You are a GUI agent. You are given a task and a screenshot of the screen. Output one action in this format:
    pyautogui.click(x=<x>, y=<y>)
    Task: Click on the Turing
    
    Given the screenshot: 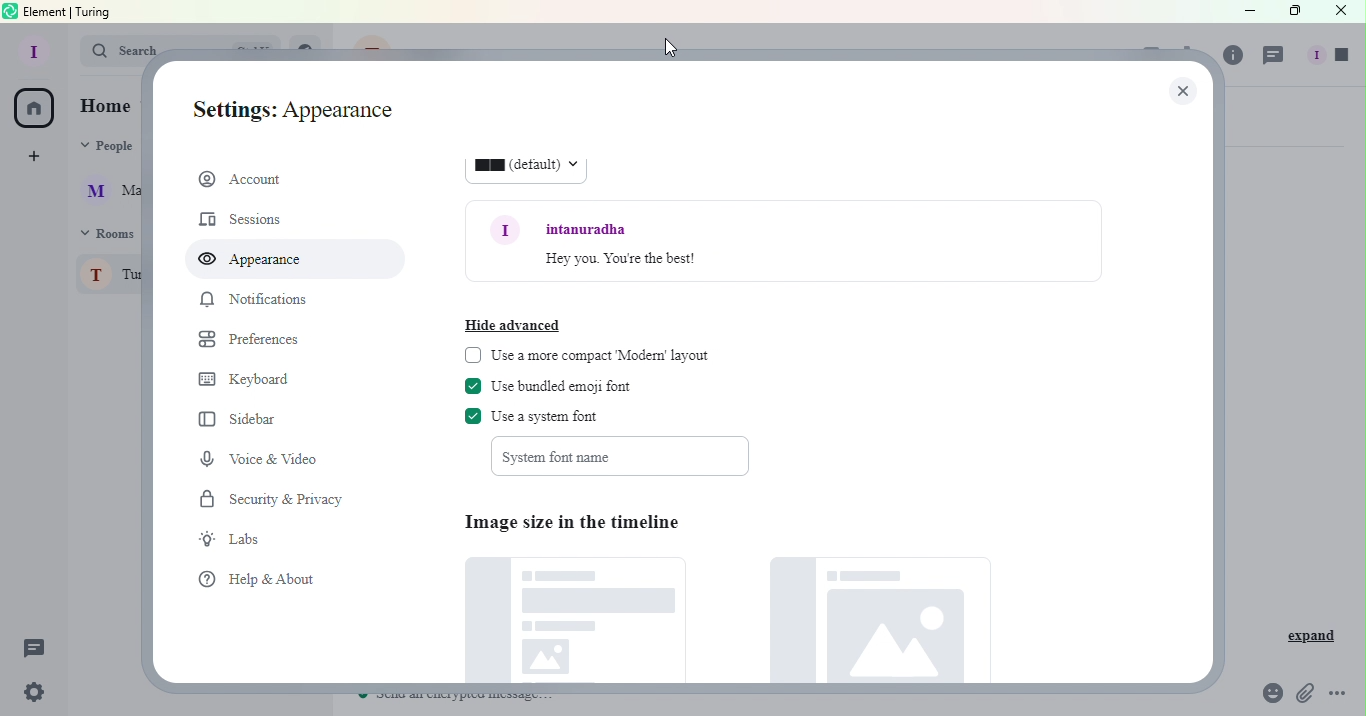 What is the action you would take?
    pyautogui.click(x=109, y=271)
    